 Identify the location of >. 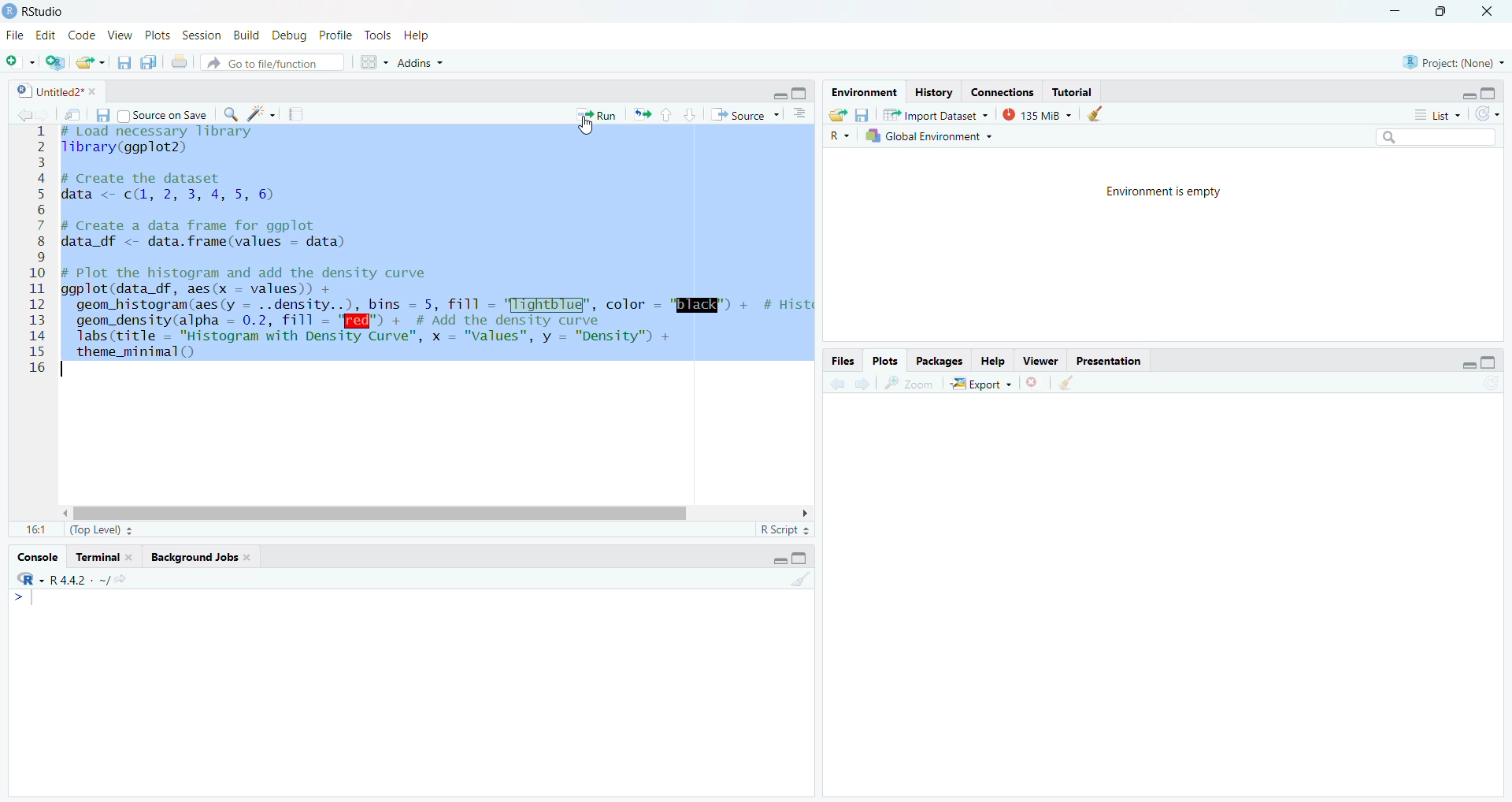
(18, 598).